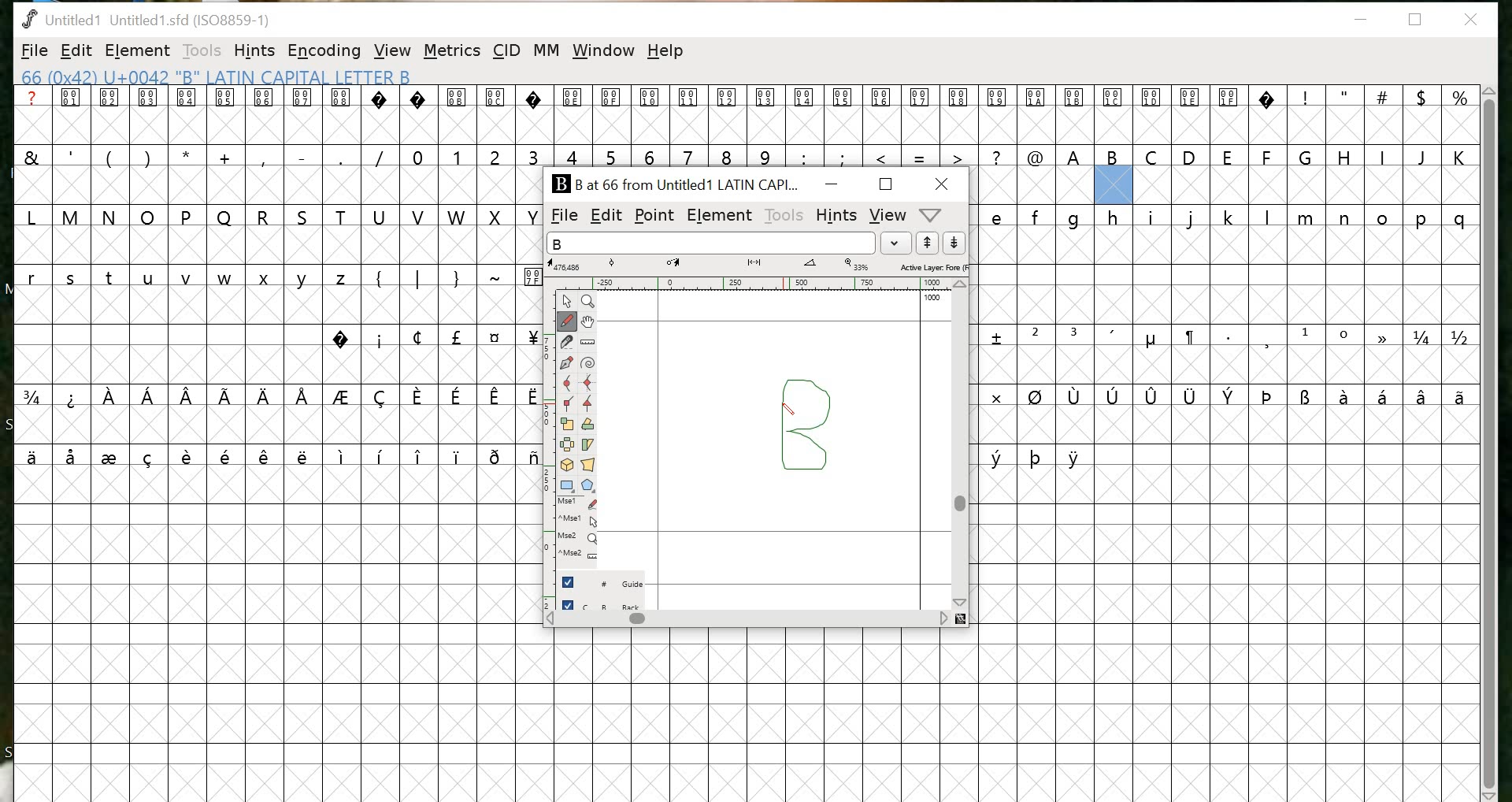  Describe the element at coordinates (588, 323) in the screenshot. I see `Pan` at that location.